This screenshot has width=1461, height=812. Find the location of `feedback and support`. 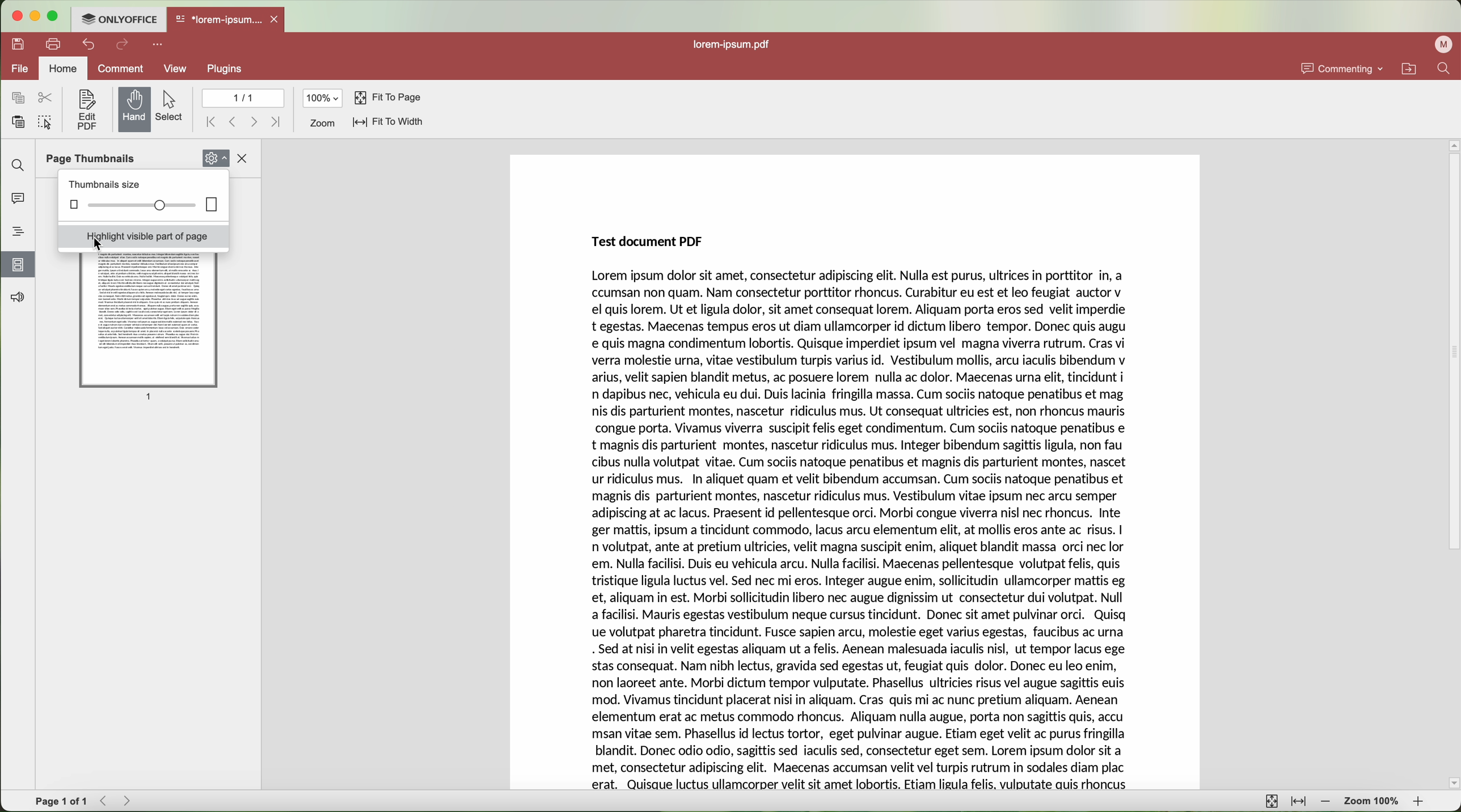

feedback and support is located at coordinates (15, 298).